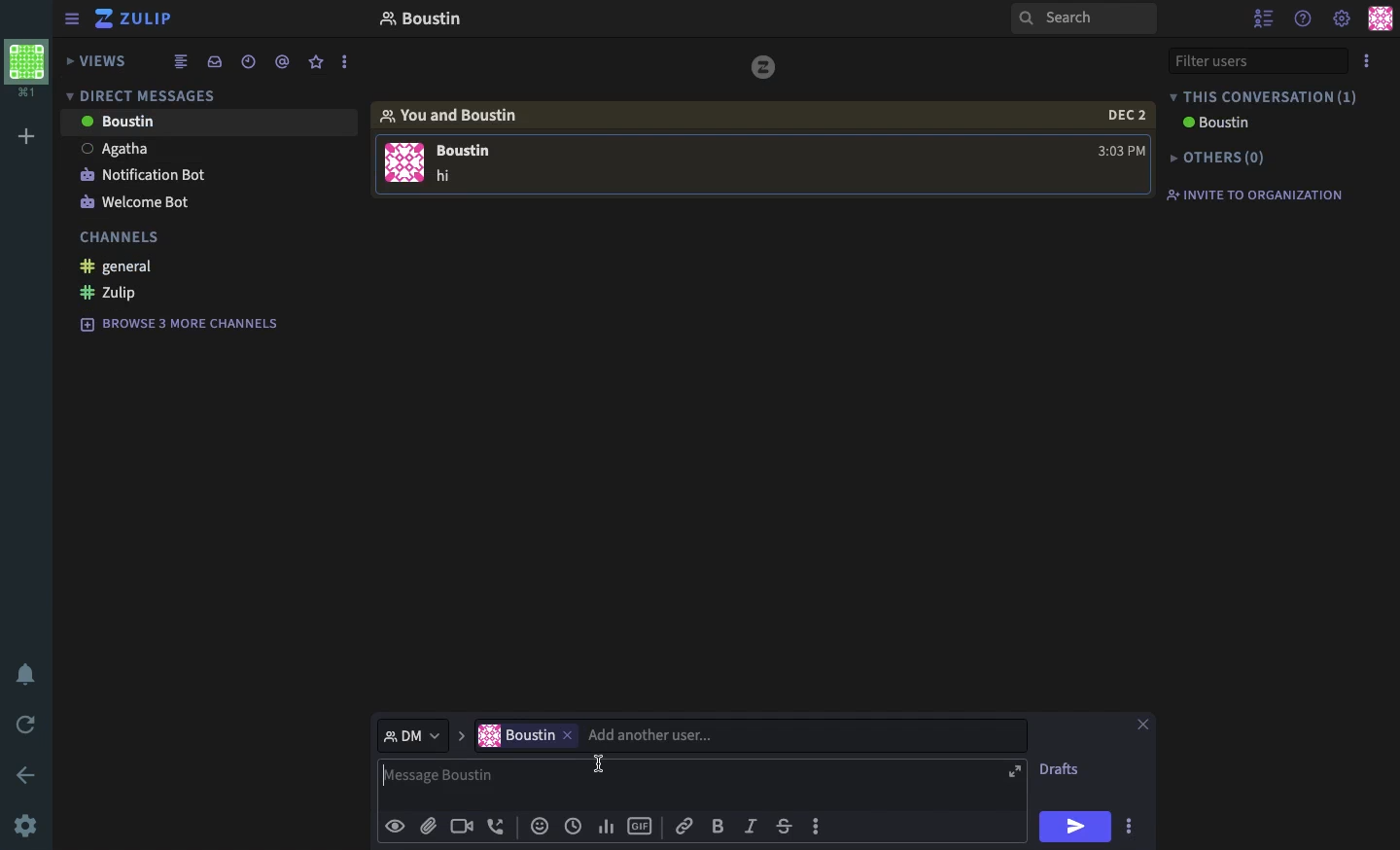 Image resolution: width=1400 pixels, height=850 pixels. Describe the element at coordinates (1077, 828) in the screenshot. I see `hi` at that location.